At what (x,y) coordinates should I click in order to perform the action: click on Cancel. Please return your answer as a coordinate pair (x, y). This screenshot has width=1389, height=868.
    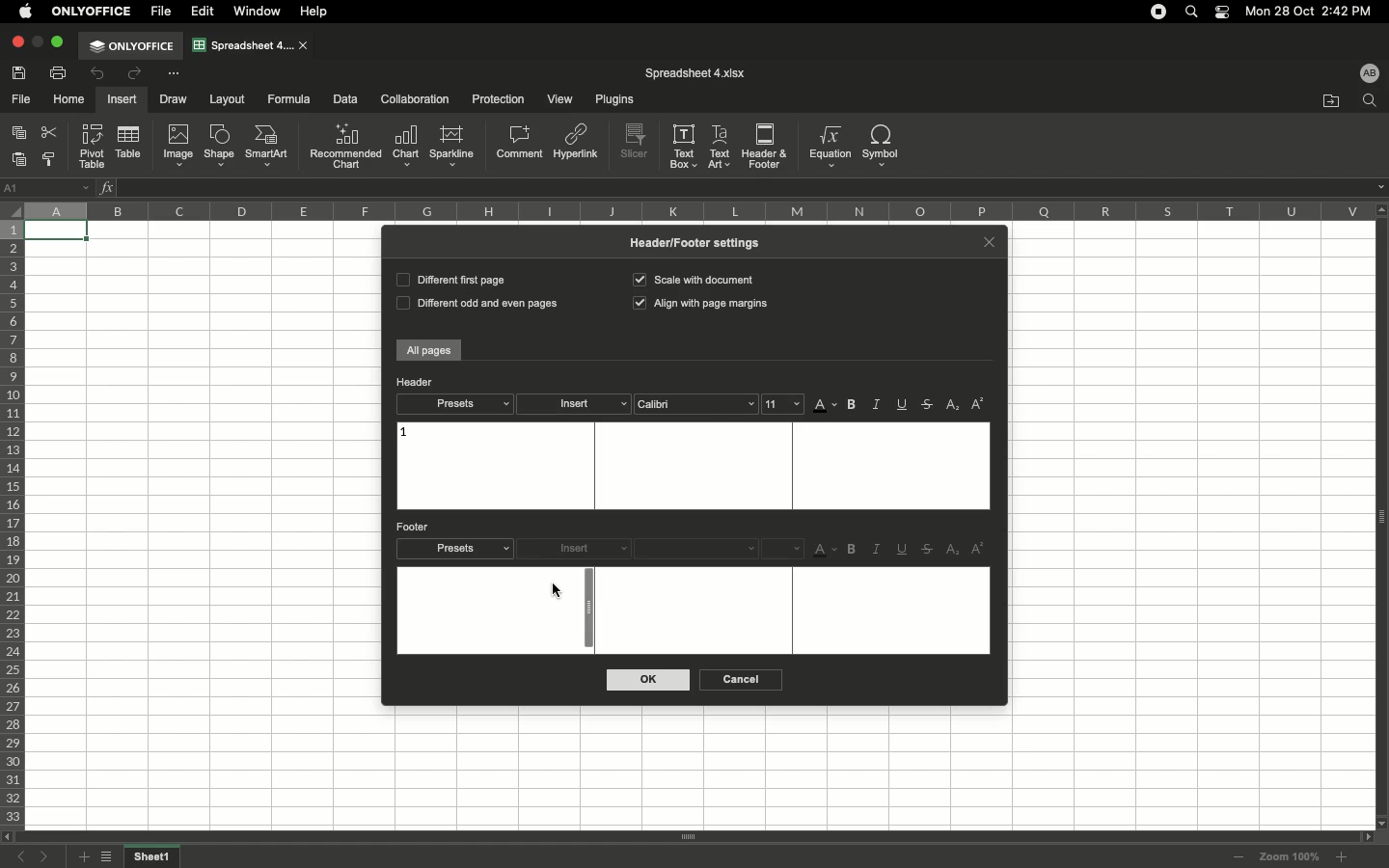
    Looking at the image, I should click on (738, 680).